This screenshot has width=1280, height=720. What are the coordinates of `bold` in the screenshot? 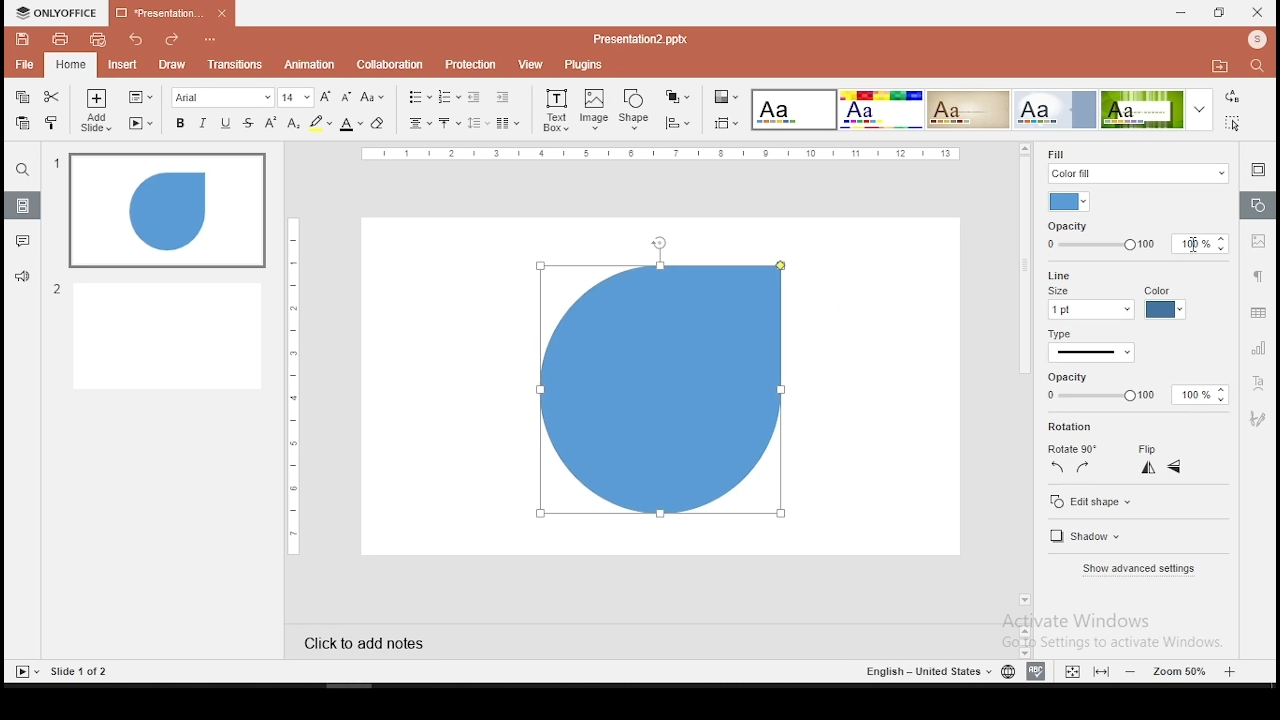 It's located at (179, 122).